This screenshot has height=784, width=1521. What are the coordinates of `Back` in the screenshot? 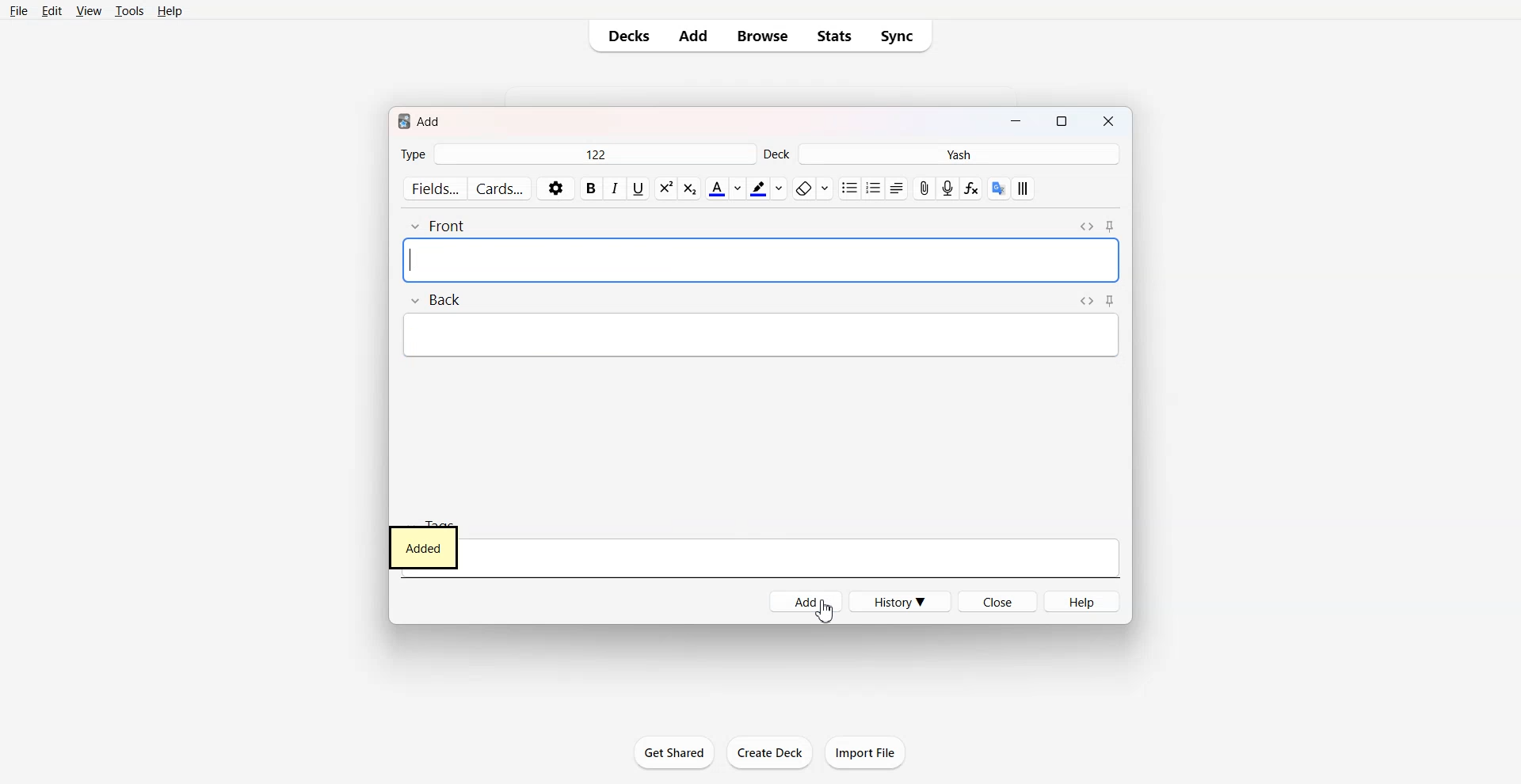 It's located at (434, 299).